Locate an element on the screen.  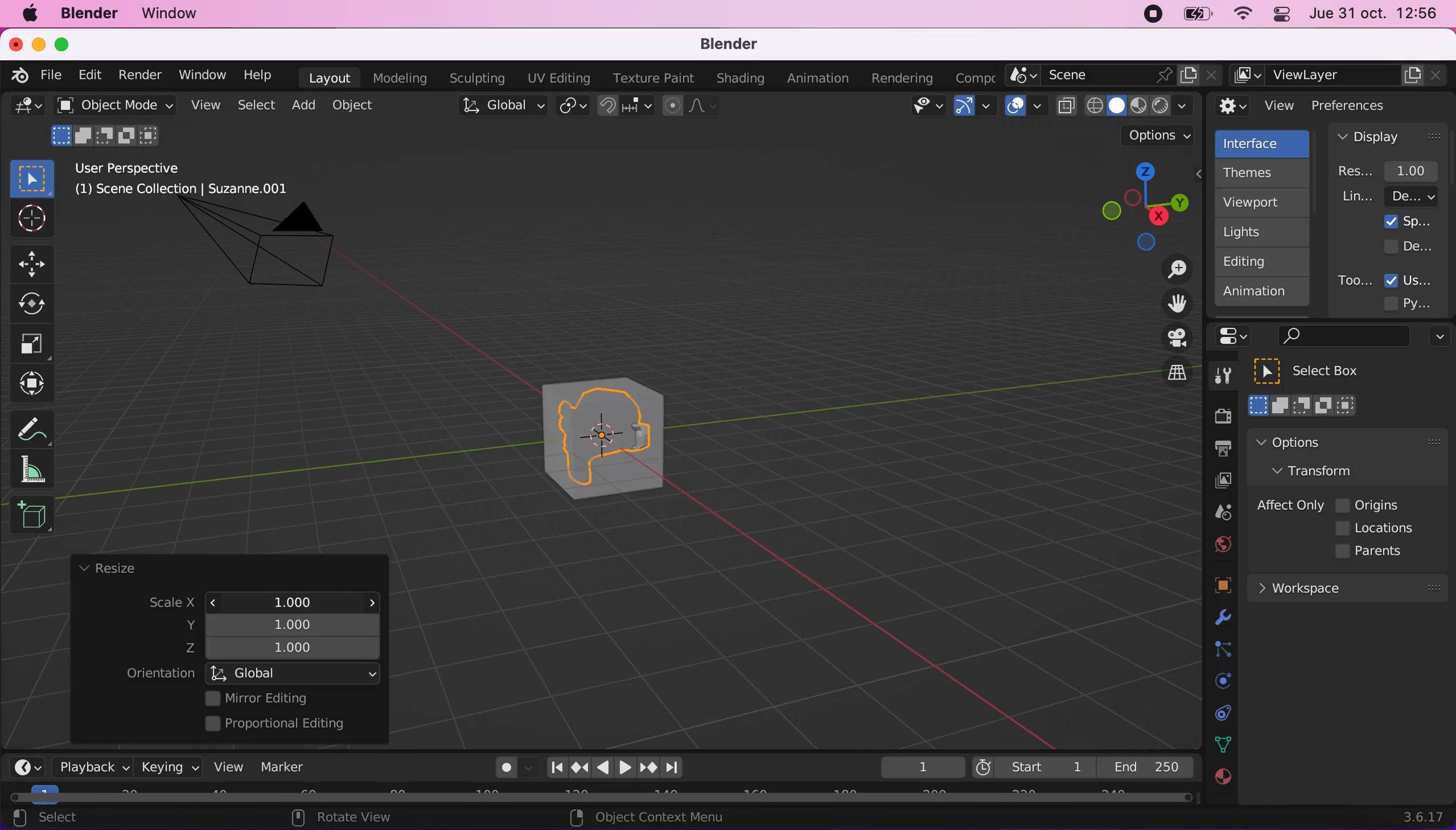
jue 31 oct. 12:56 is located at coordinates (1374, 14).